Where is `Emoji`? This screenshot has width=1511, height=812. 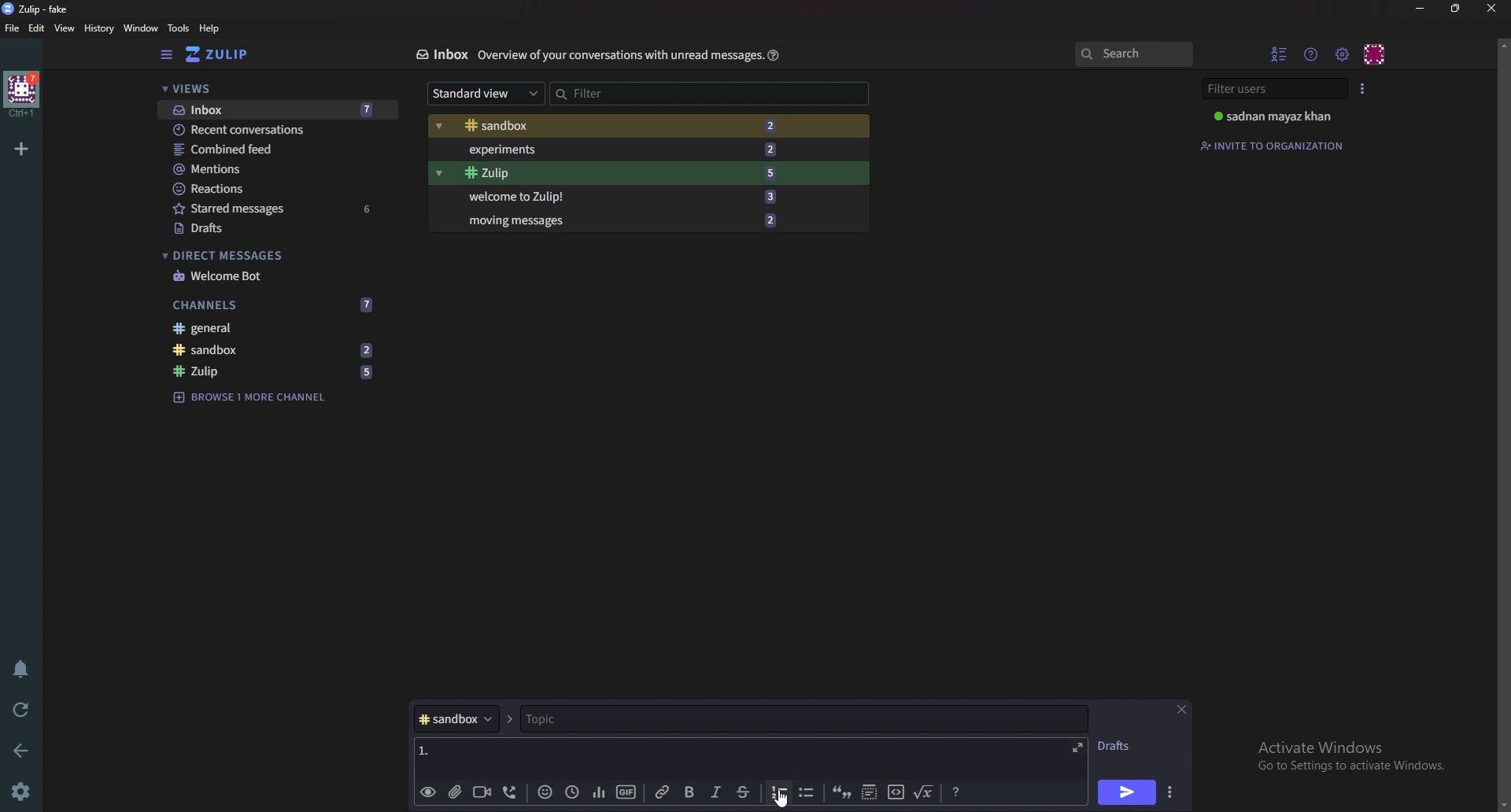 Emoji is located at coordinates (542, 793).